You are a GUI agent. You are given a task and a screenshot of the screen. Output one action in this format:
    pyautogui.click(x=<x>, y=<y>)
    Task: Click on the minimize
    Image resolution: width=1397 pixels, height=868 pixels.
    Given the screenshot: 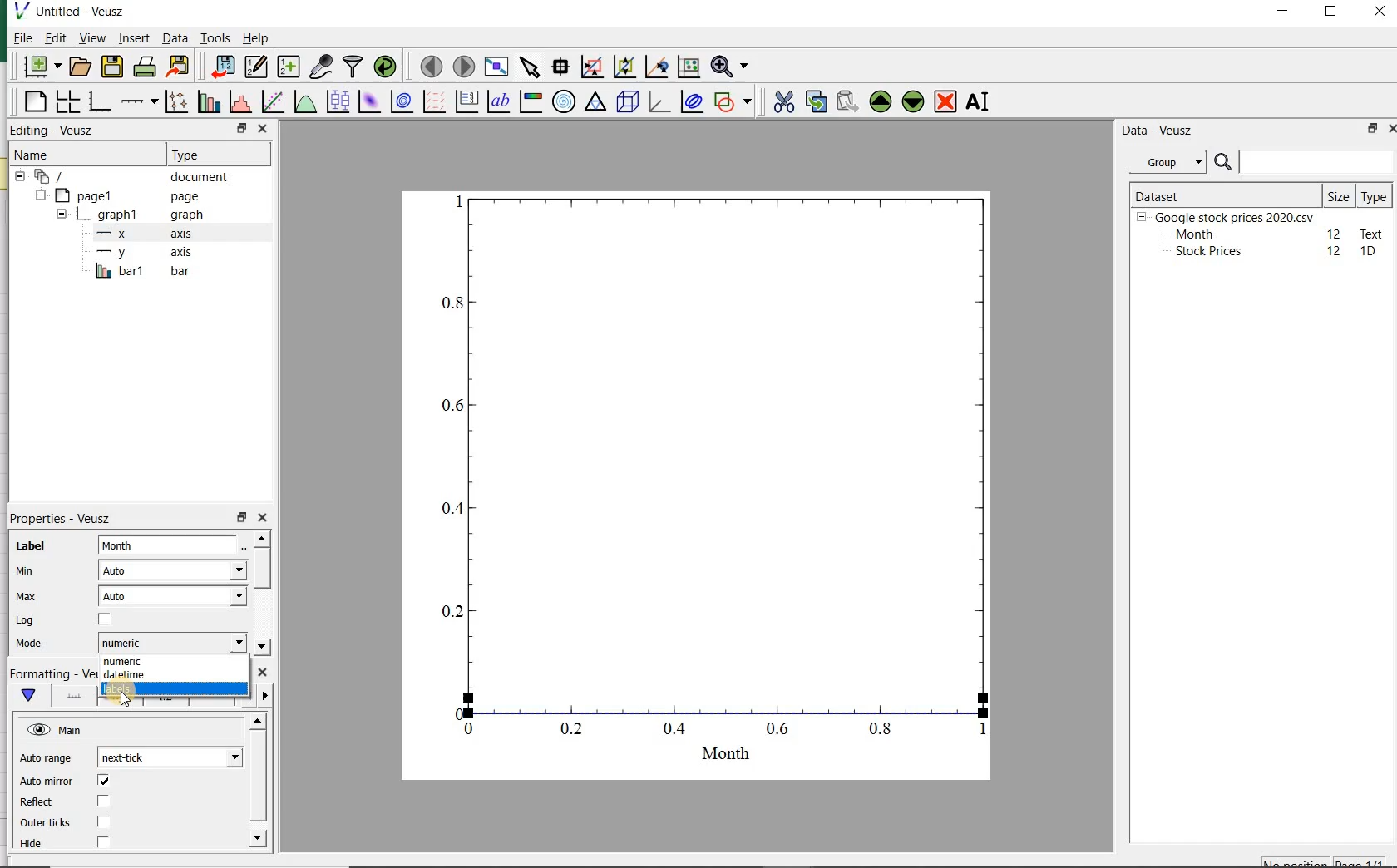 What is the action you would take?
    pyautogui.click(x=1284, y=12)
    